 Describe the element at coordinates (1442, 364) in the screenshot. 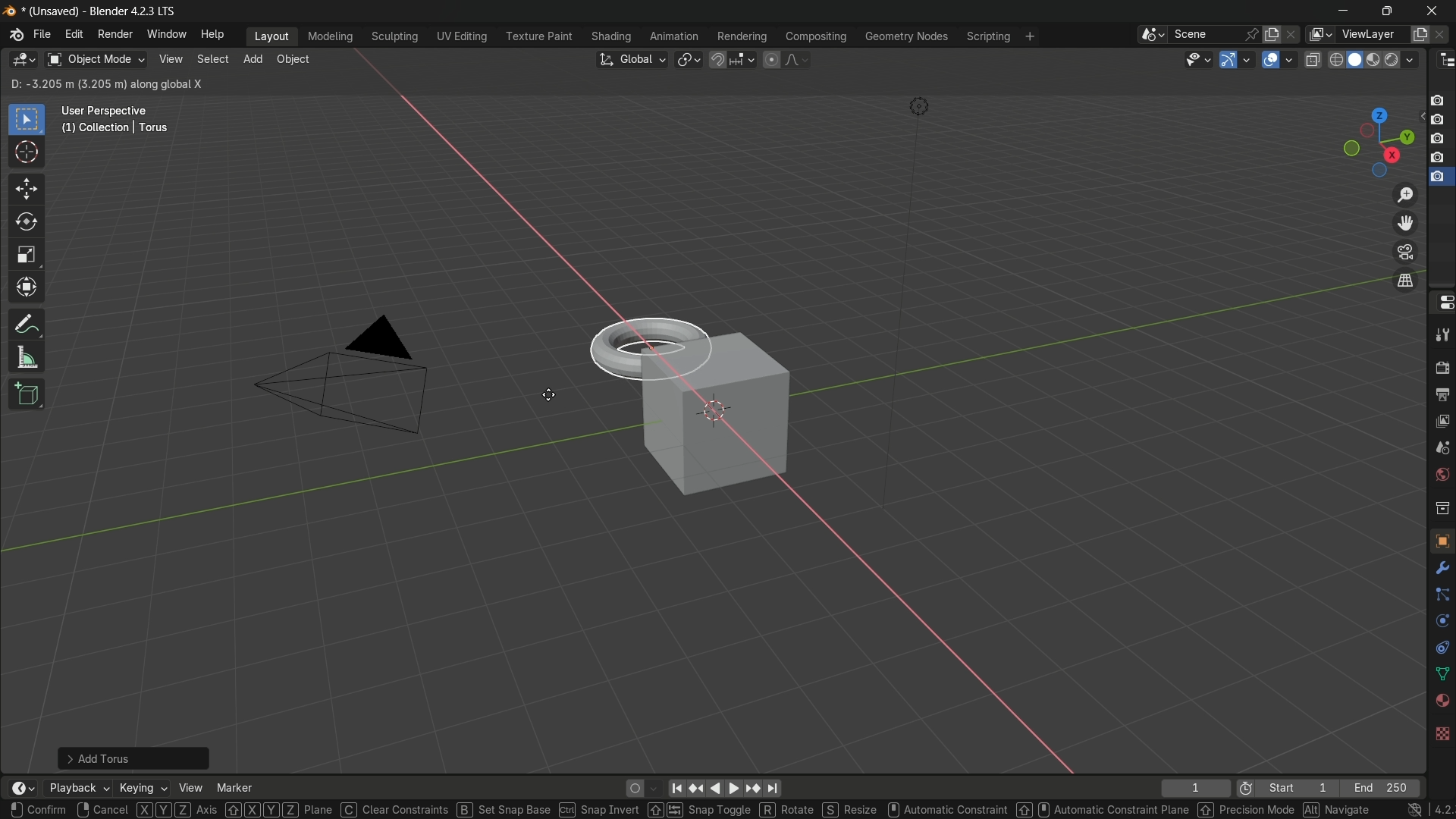

I see `render` at that location.